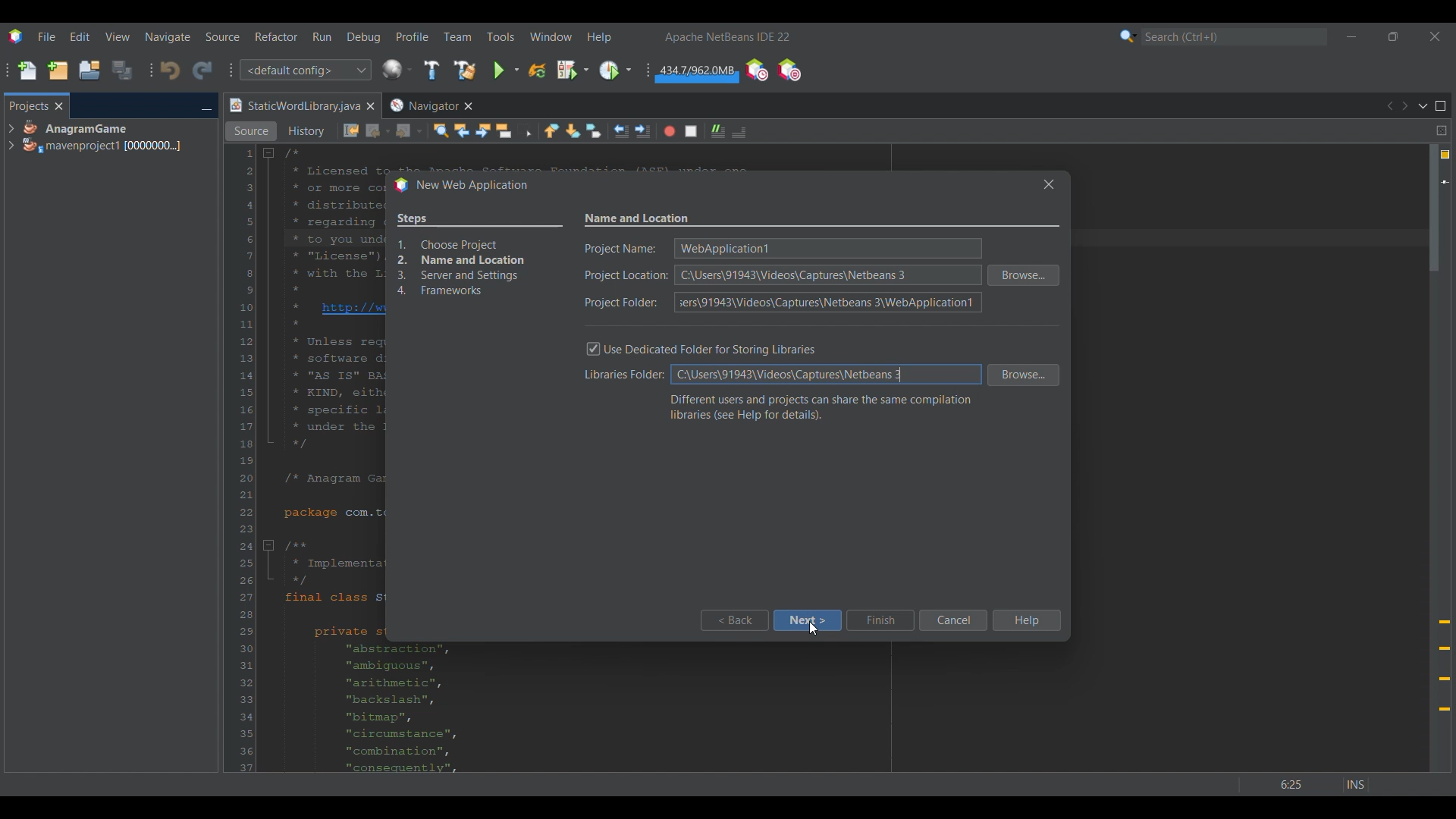 The width and height of the screenshot is (1456, 819). I want to click on Last edit, so click(351, 130).